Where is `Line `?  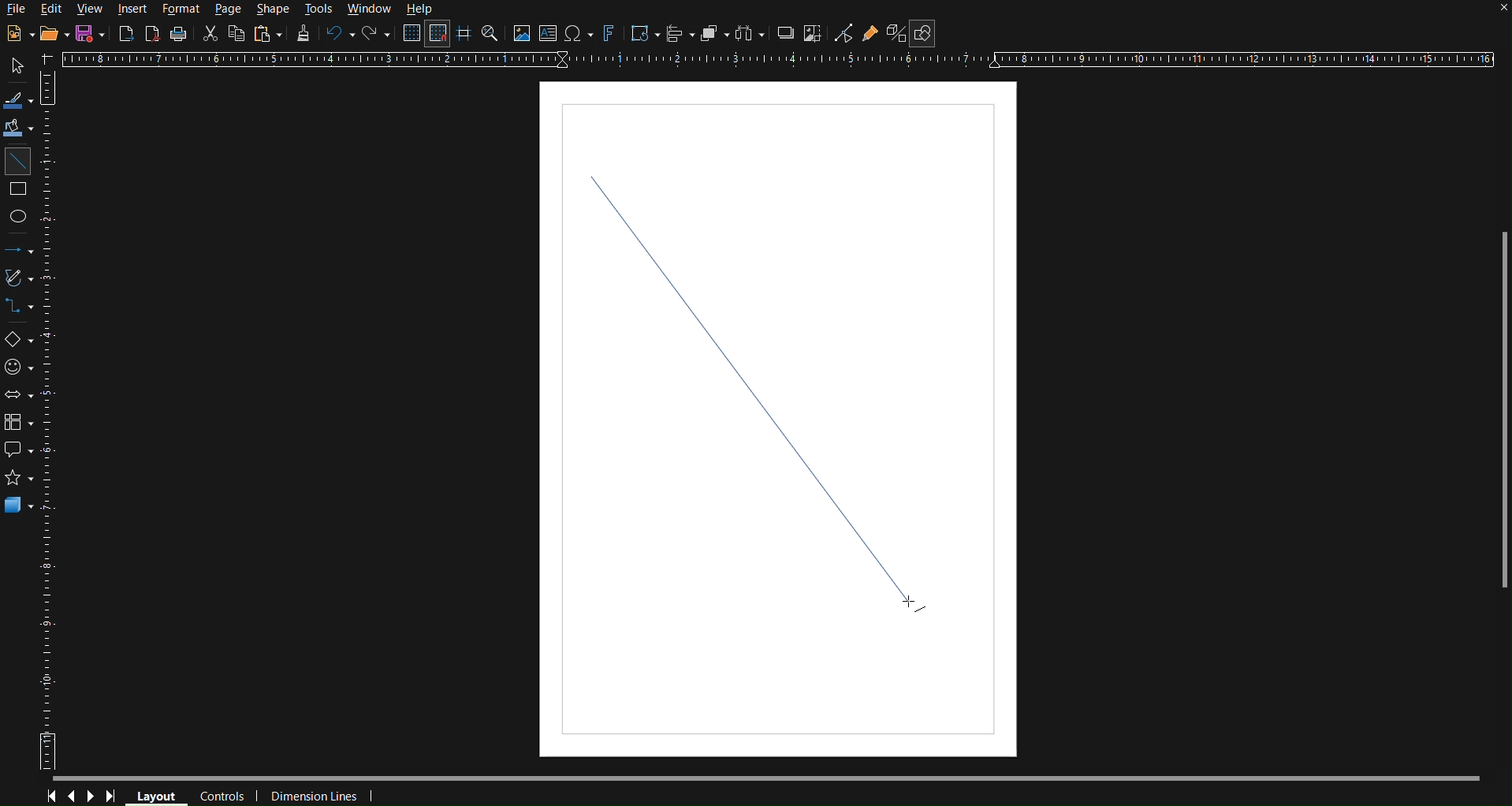 Line  is located at coordinates (18, 161).